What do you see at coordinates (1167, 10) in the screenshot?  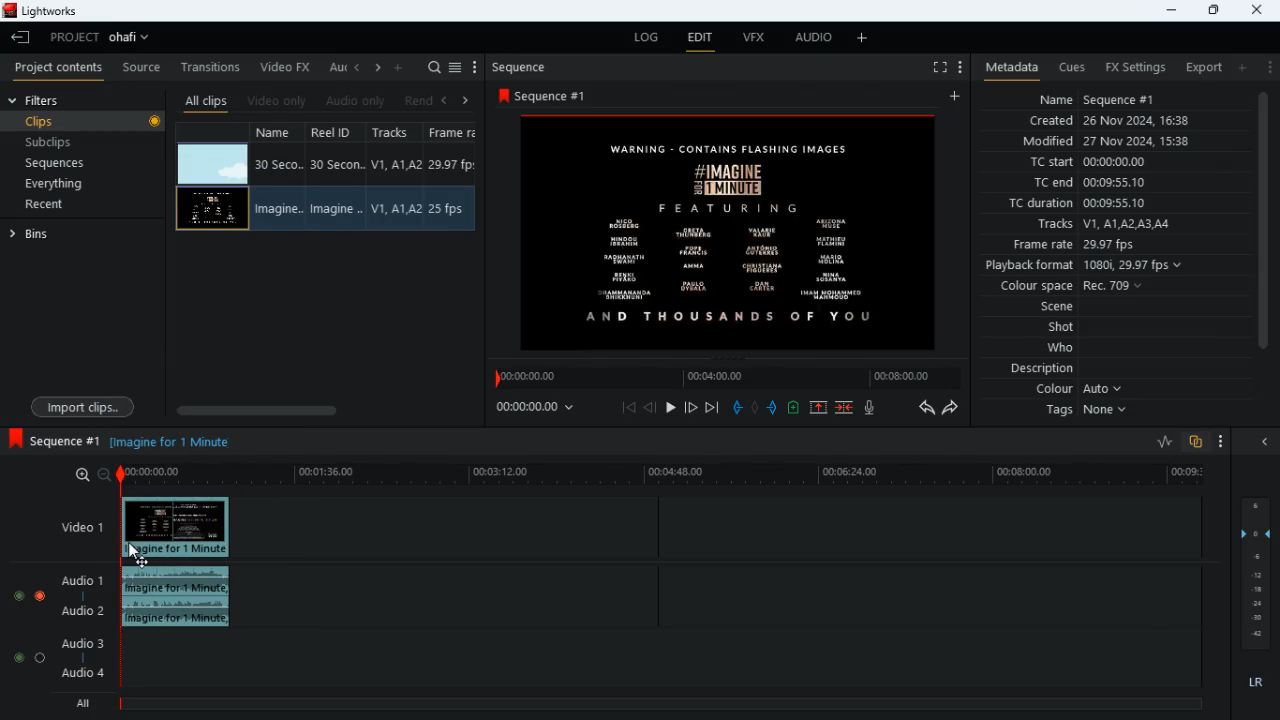 I see `minimize` at bounding box center [1167, 10].